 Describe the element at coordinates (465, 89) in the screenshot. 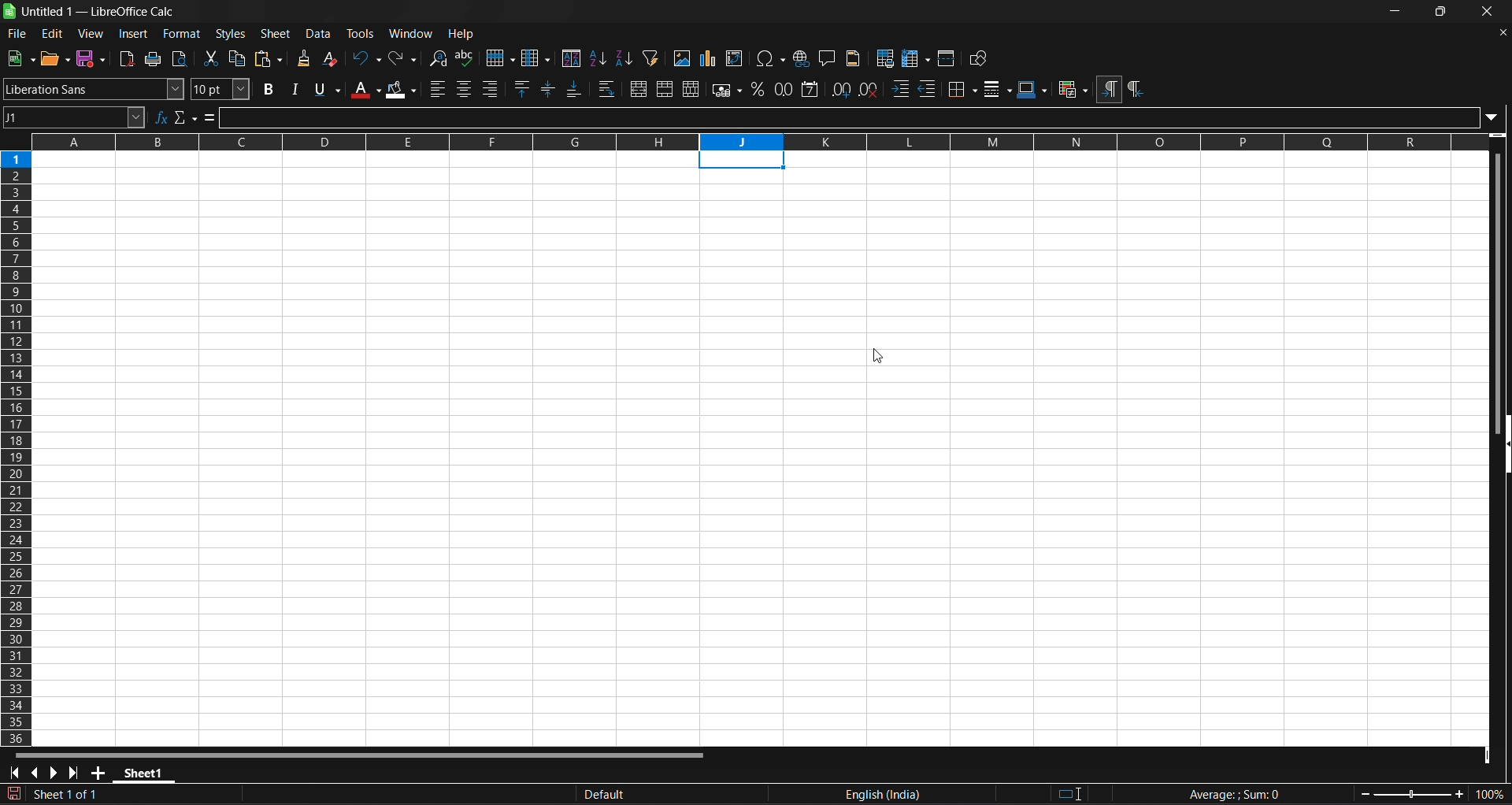

I see `align center` at that location.